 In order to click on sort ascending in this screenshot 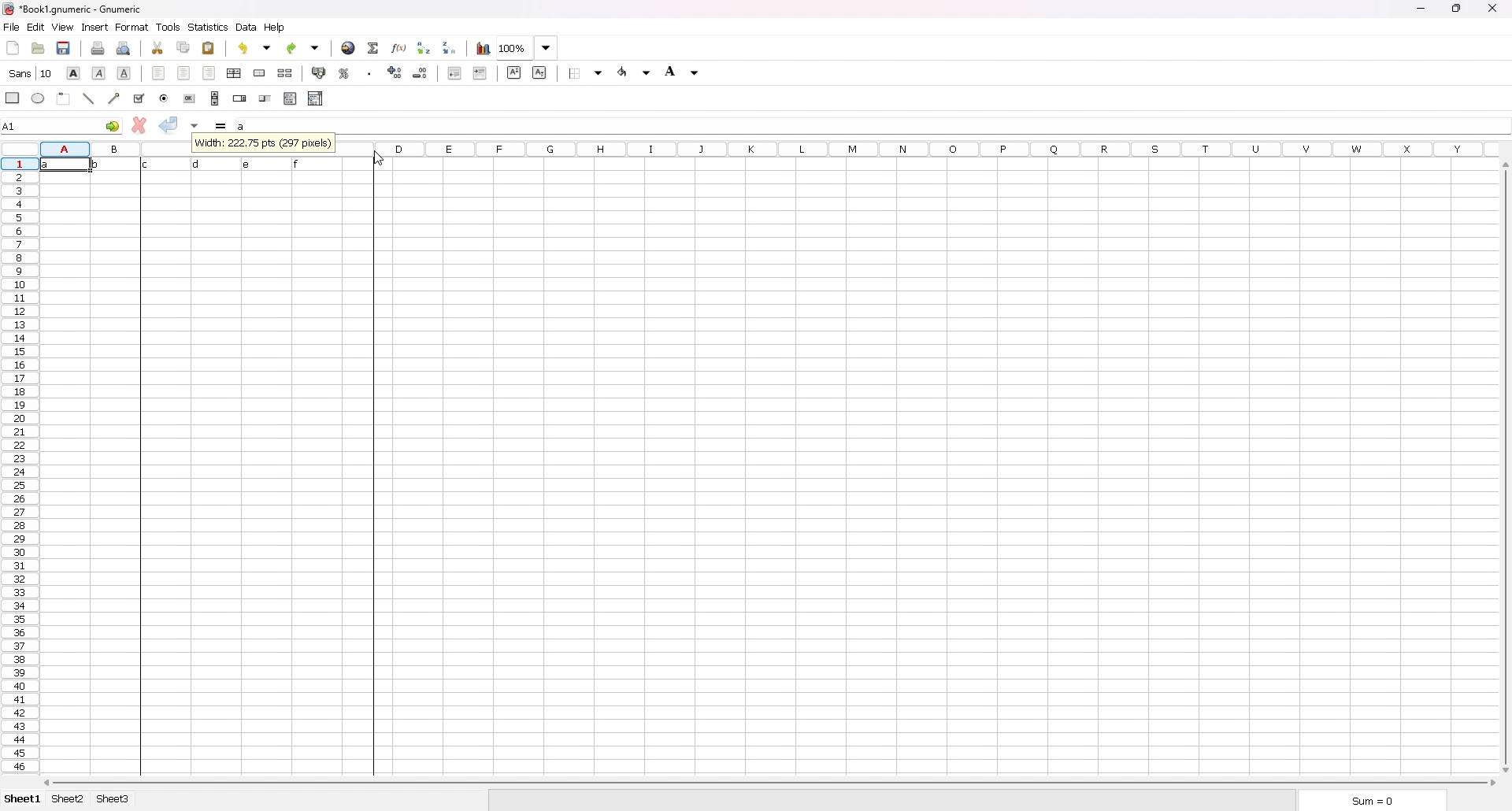, I will do `click(424, 47)`.